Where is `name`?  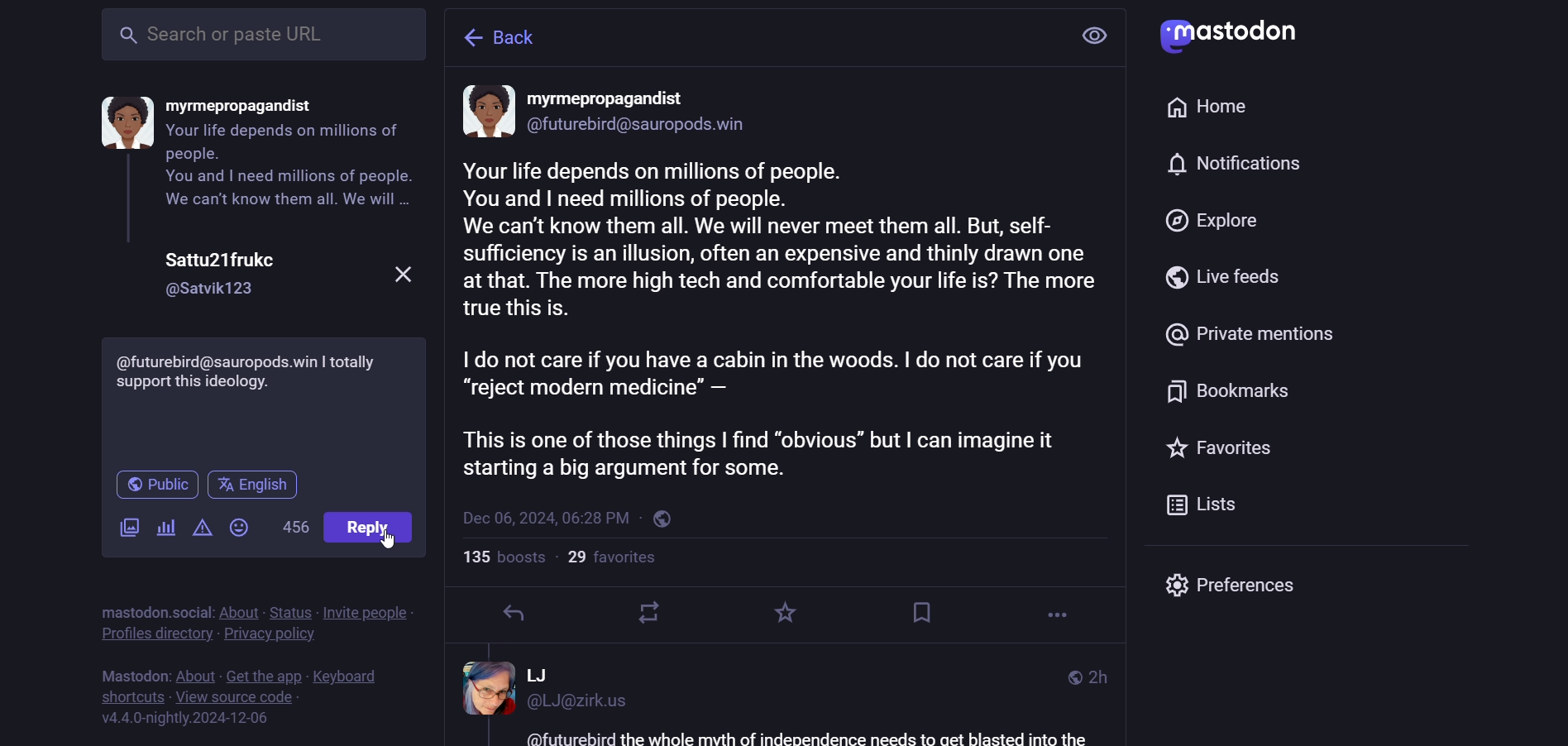
name is located at coordinates (613, 99).